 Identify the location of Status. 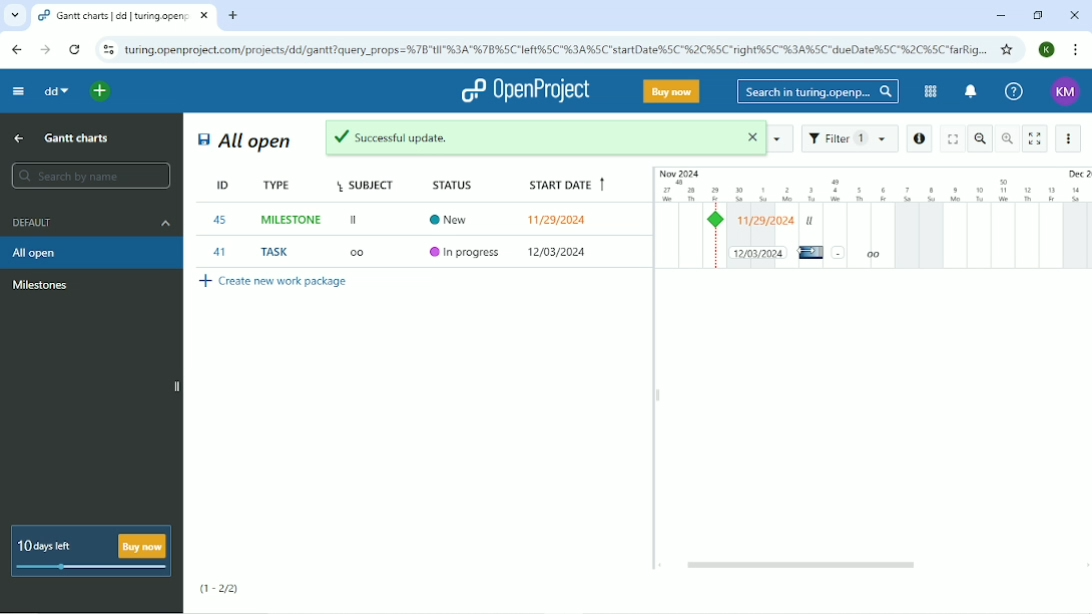
(459, 183).